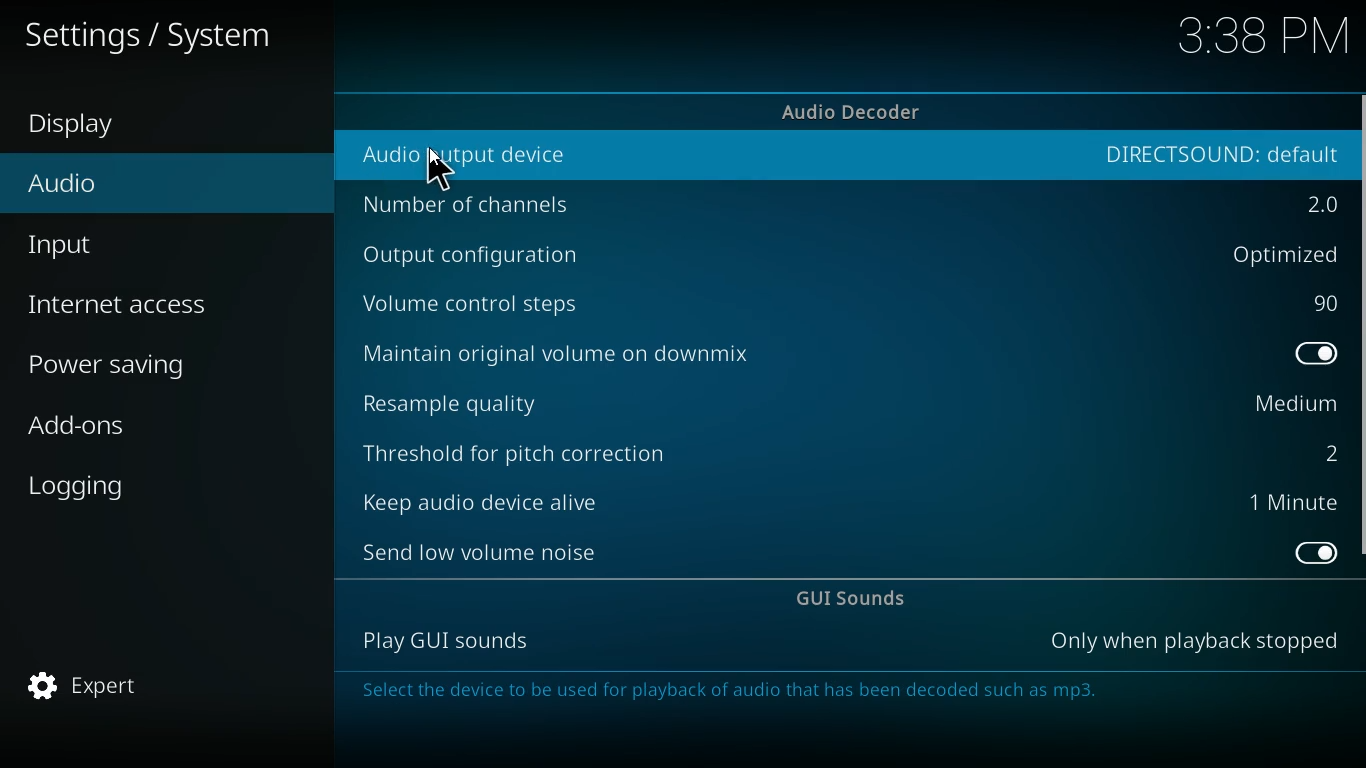  What do you see at coordinates (486, 400) in the screenshot?
I see `resample quality` at bounding box center [486, 400].